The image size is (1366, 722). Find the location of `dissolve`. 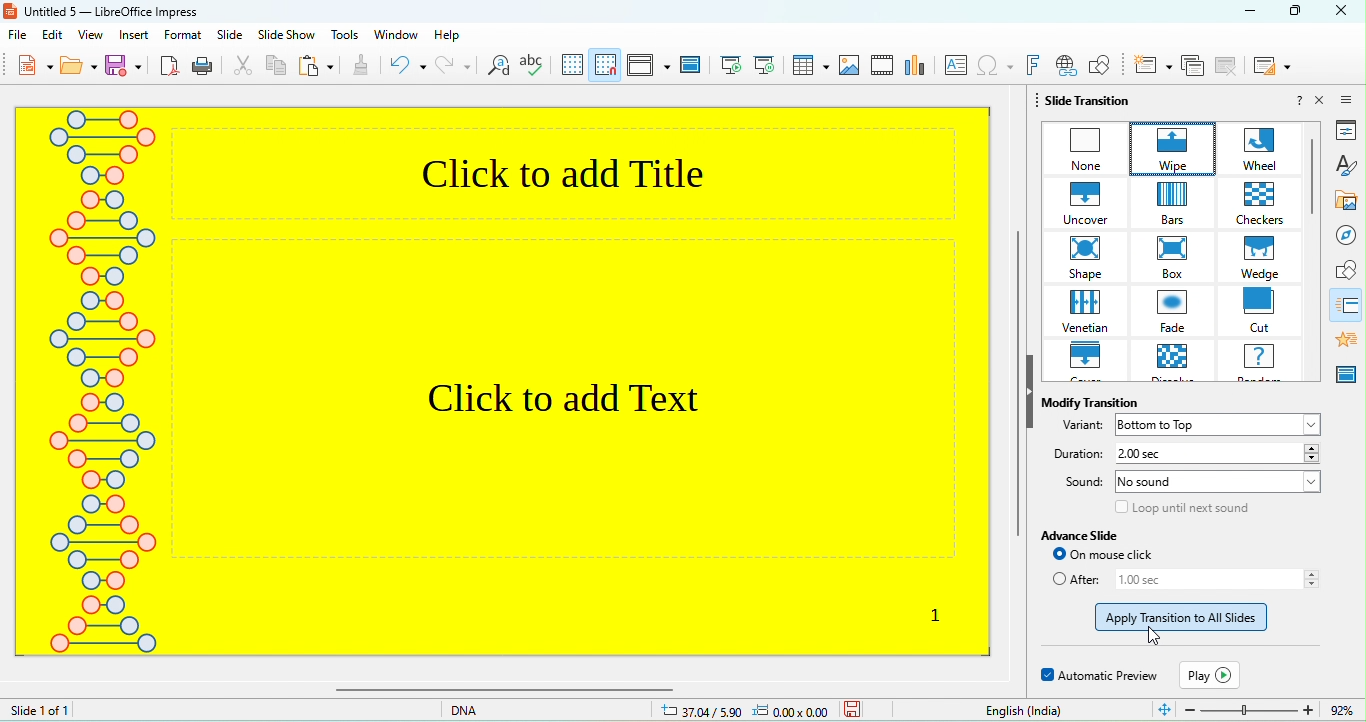

dissolve is located at coordinates (1182, 363).